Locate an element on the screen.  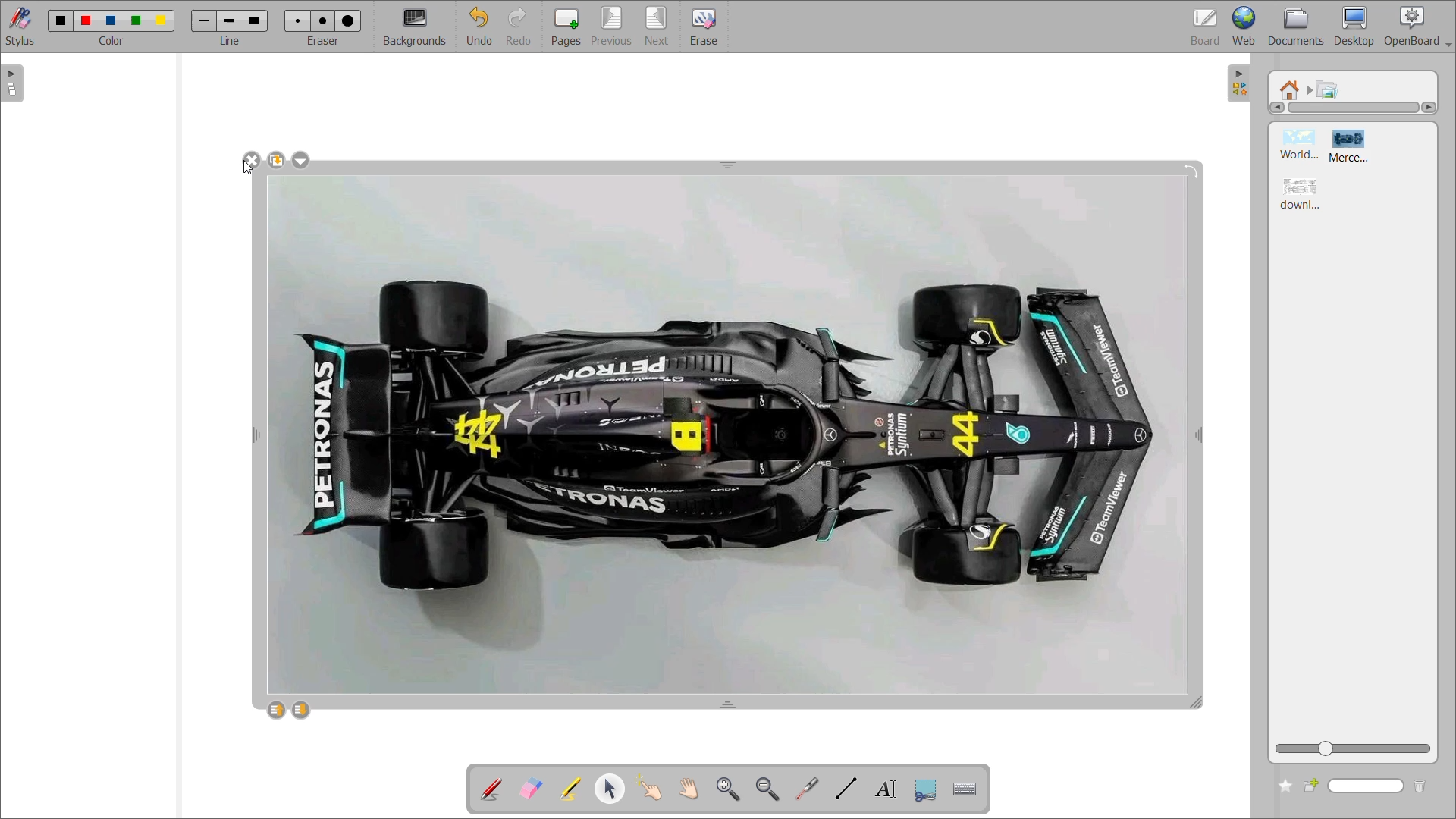
web is located at coordinates (1244, 25).